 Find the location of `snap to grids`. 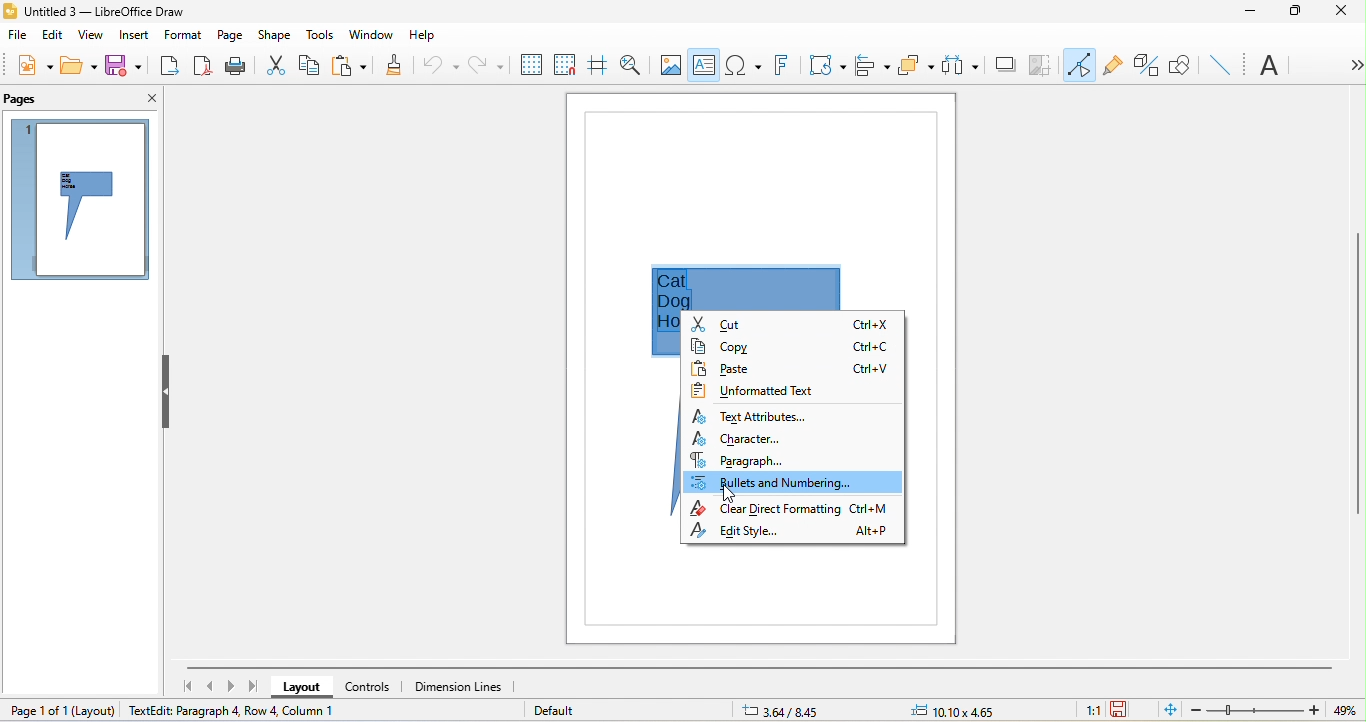

snap to grids is located at coordinates (565, 67).